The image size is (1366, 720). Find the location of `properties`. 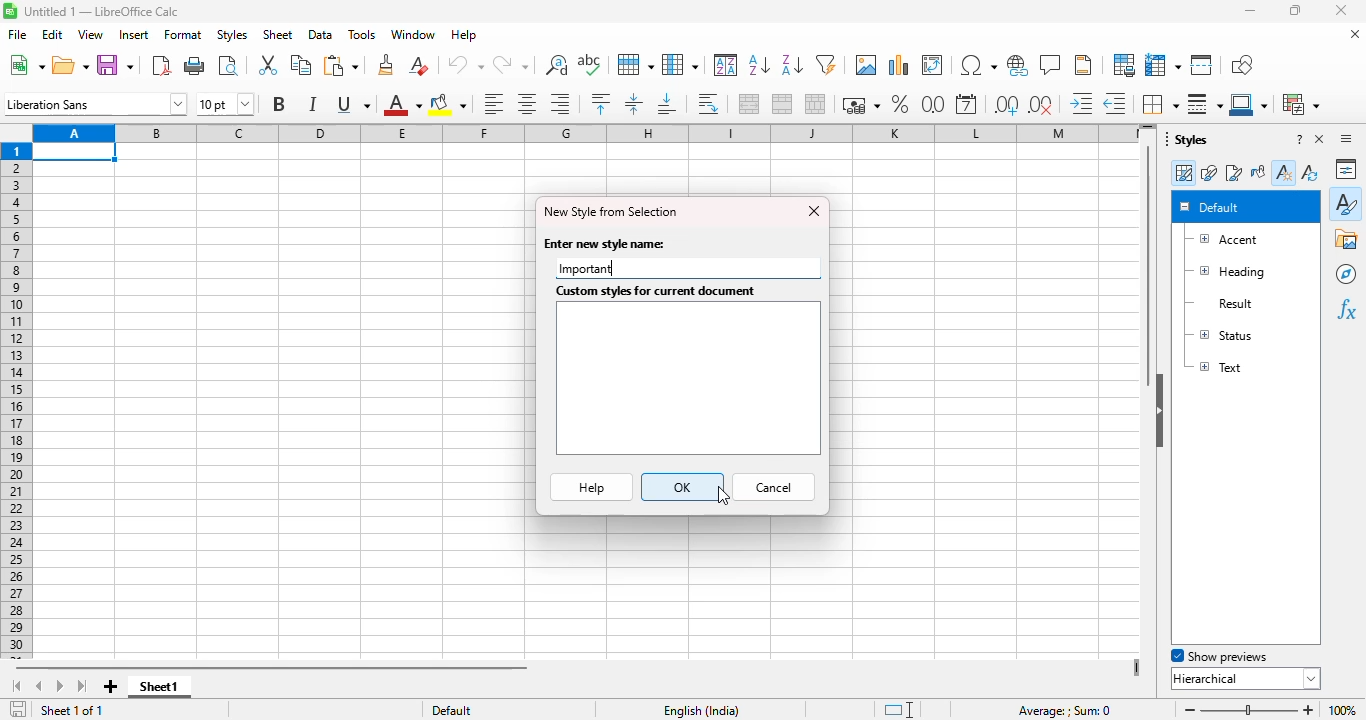

properties is located at coordinates (1347, 169).